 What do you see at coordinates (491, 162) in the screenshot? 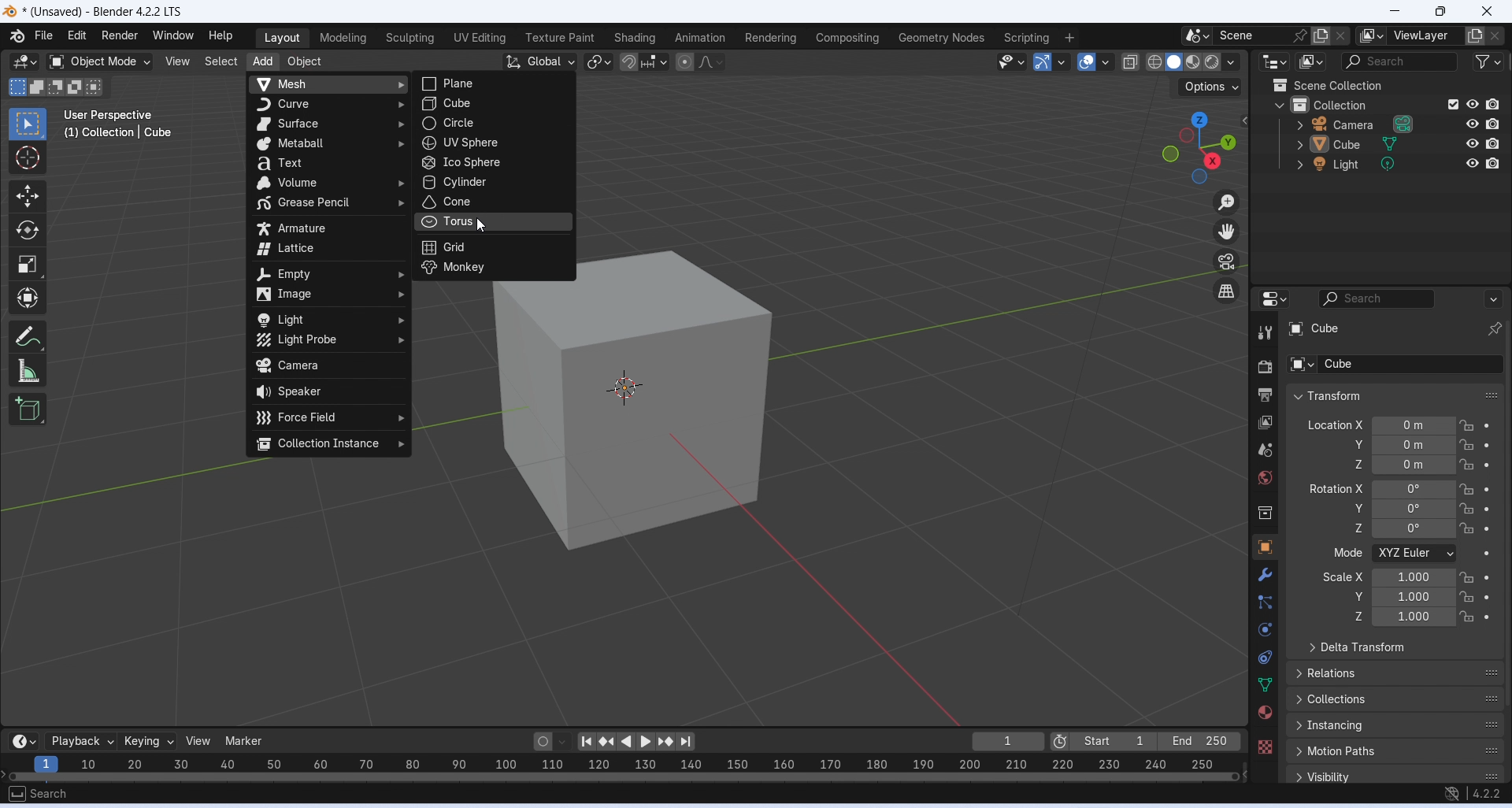
I see `ico sphere` at bounding box center [491, 162].